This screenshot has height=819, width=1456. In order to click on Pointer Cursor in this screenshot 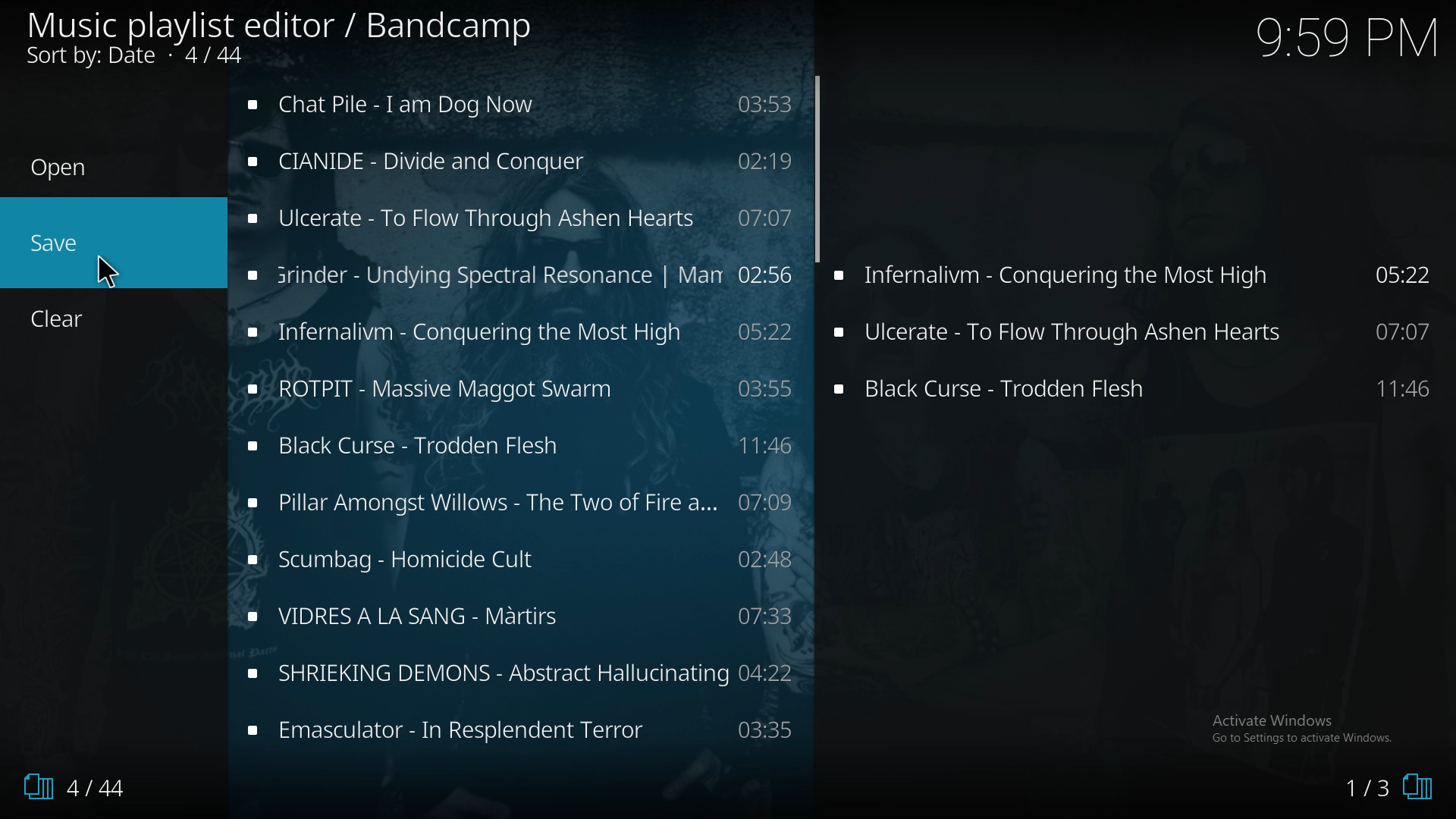, I will do `click(107, 268)`.